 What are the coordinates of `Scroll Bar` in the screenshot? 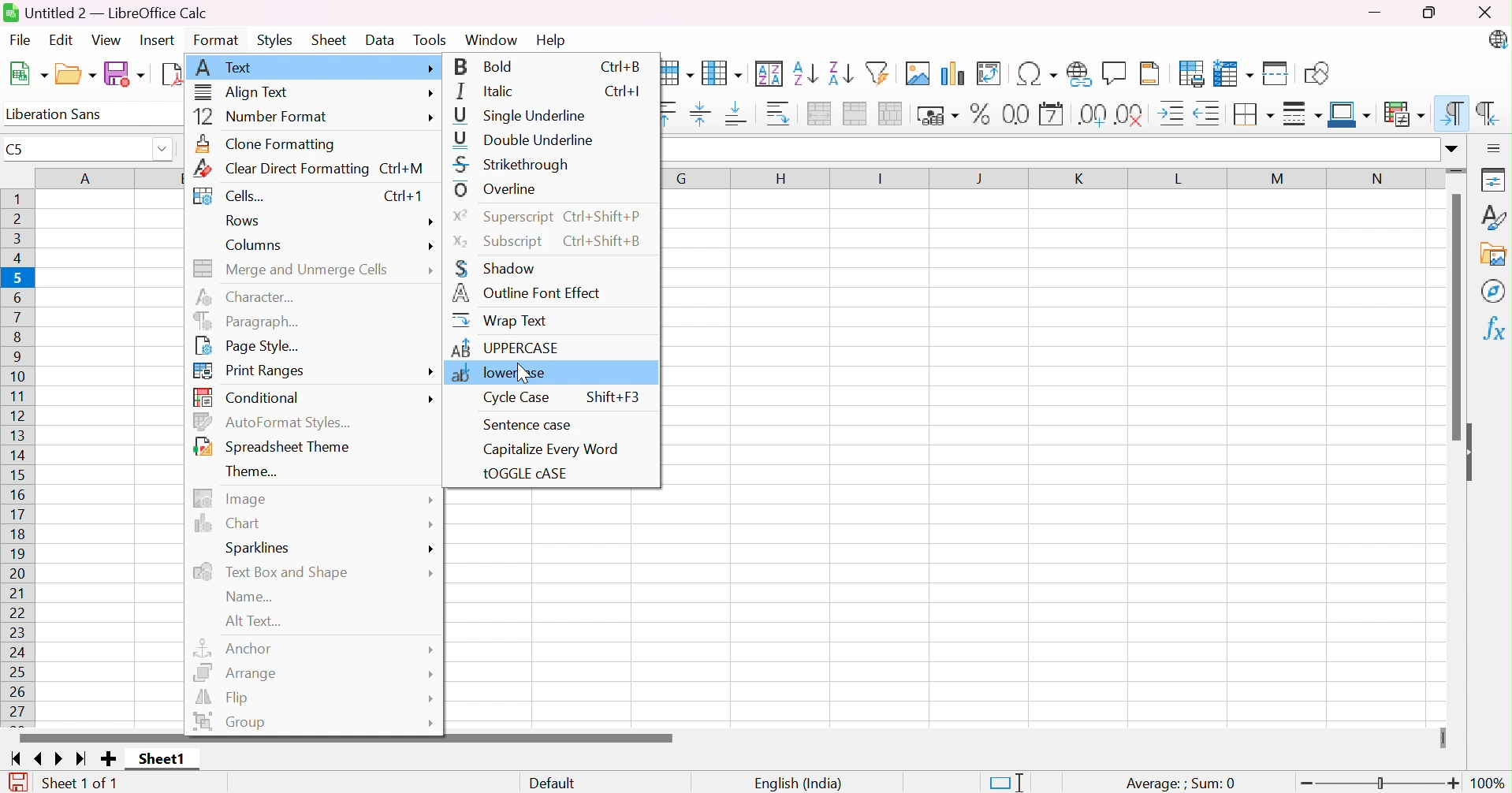 It's located at (1454, 319).